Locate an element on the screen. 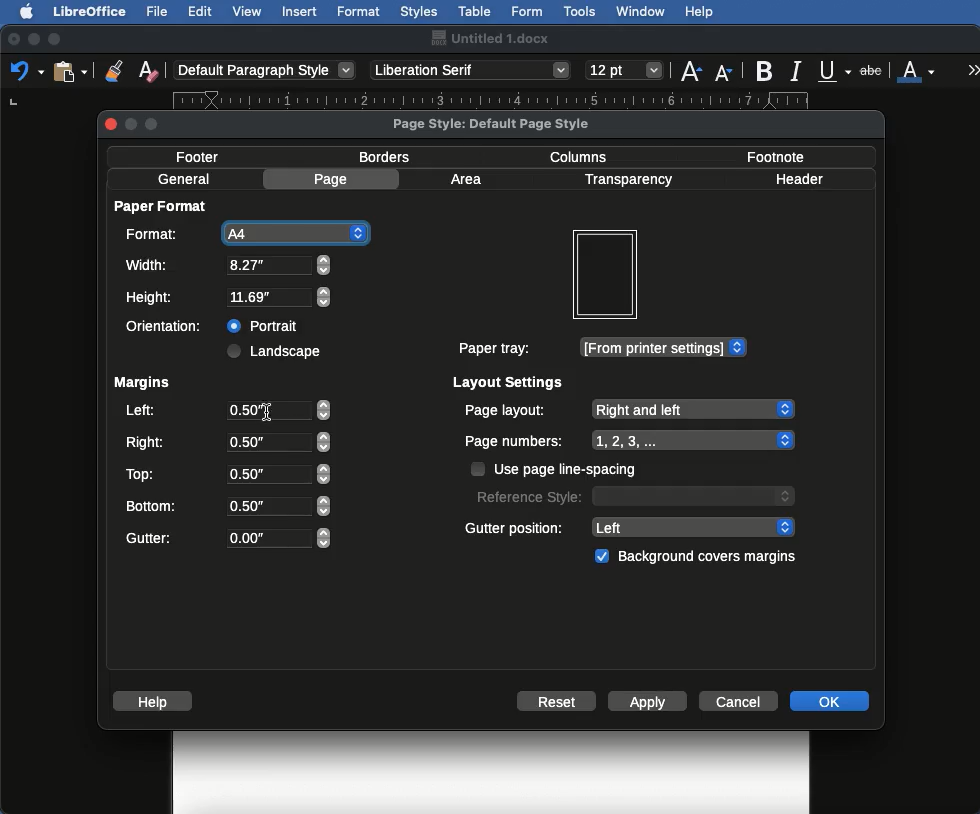  View is located at coordinates (248, 11).